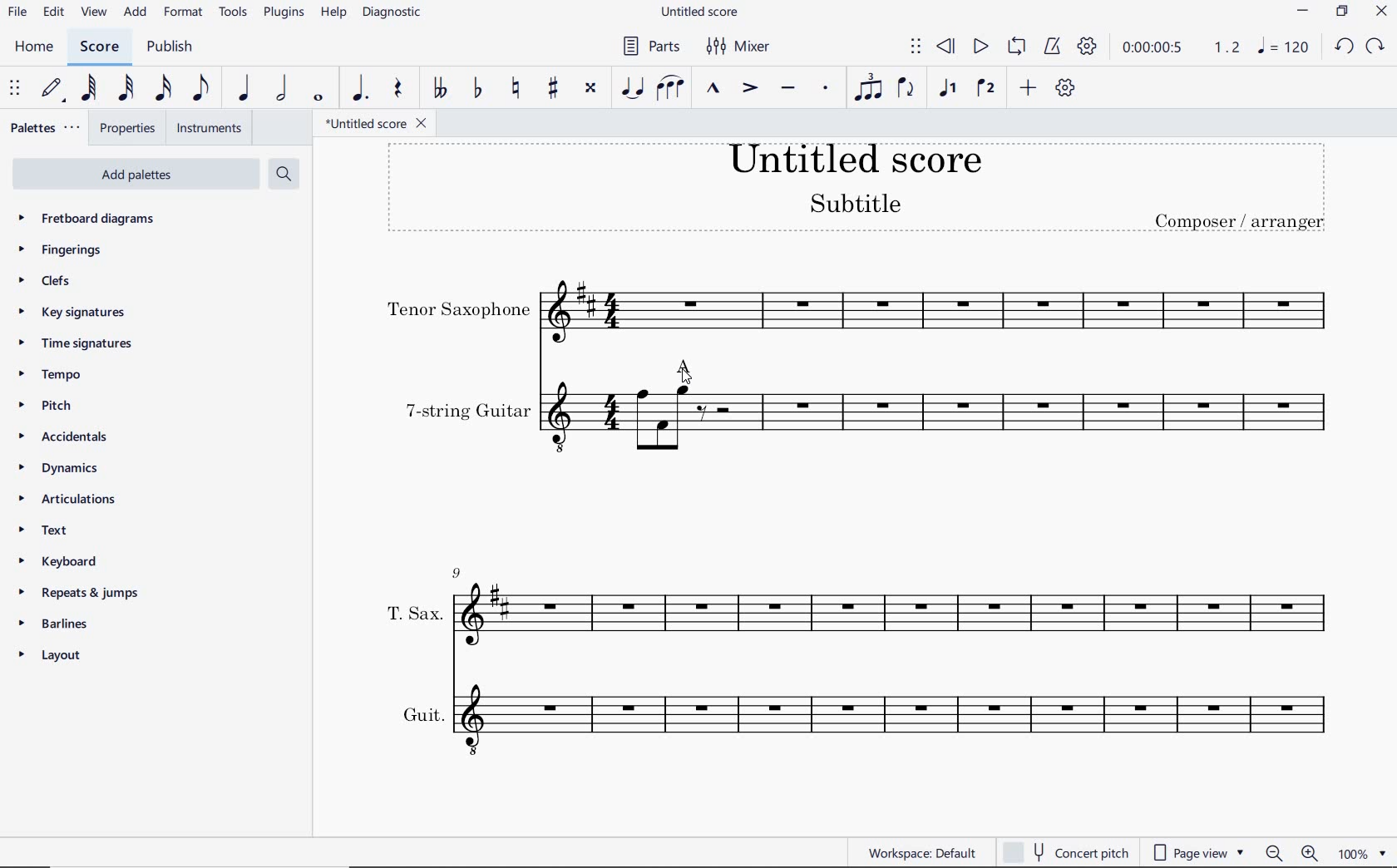  I want to click on ARTICULATIONS, so click(72, 497).